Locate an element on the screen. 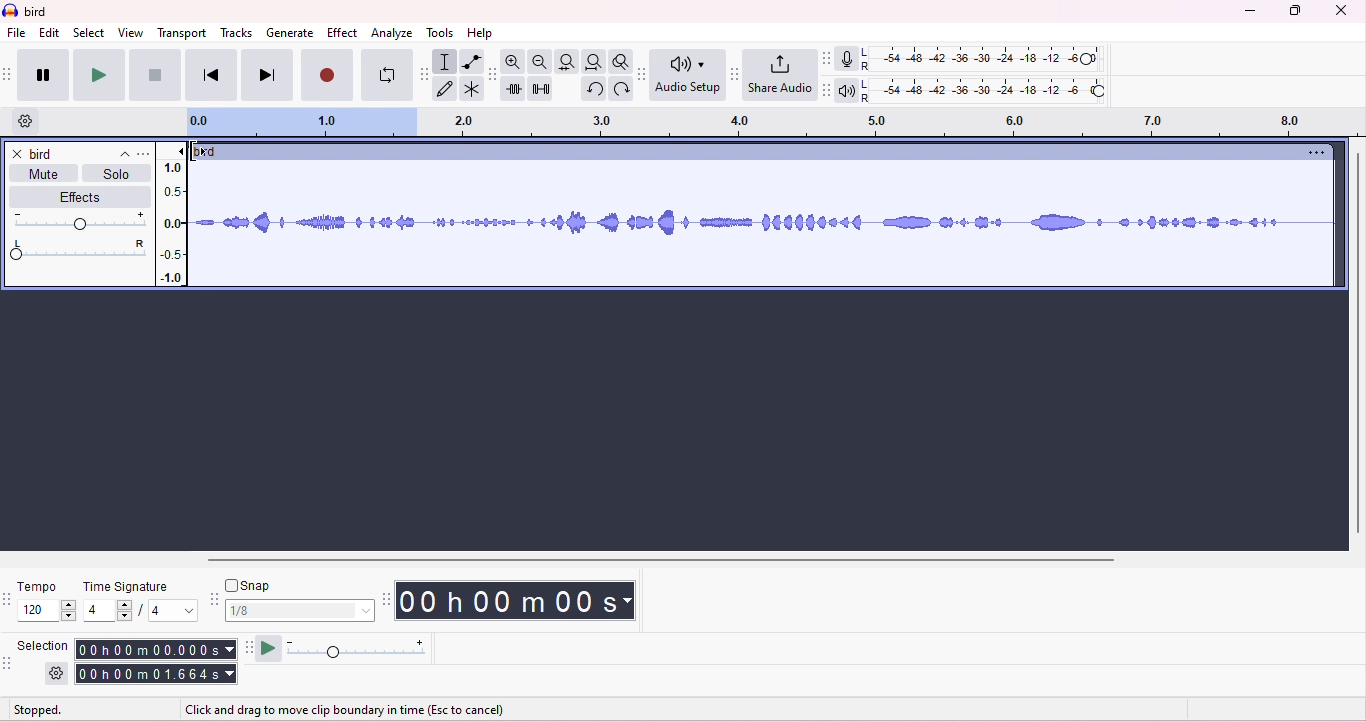 The width and height of the screenshot is (1366, 722). transport is located at coordinates (184, 32).